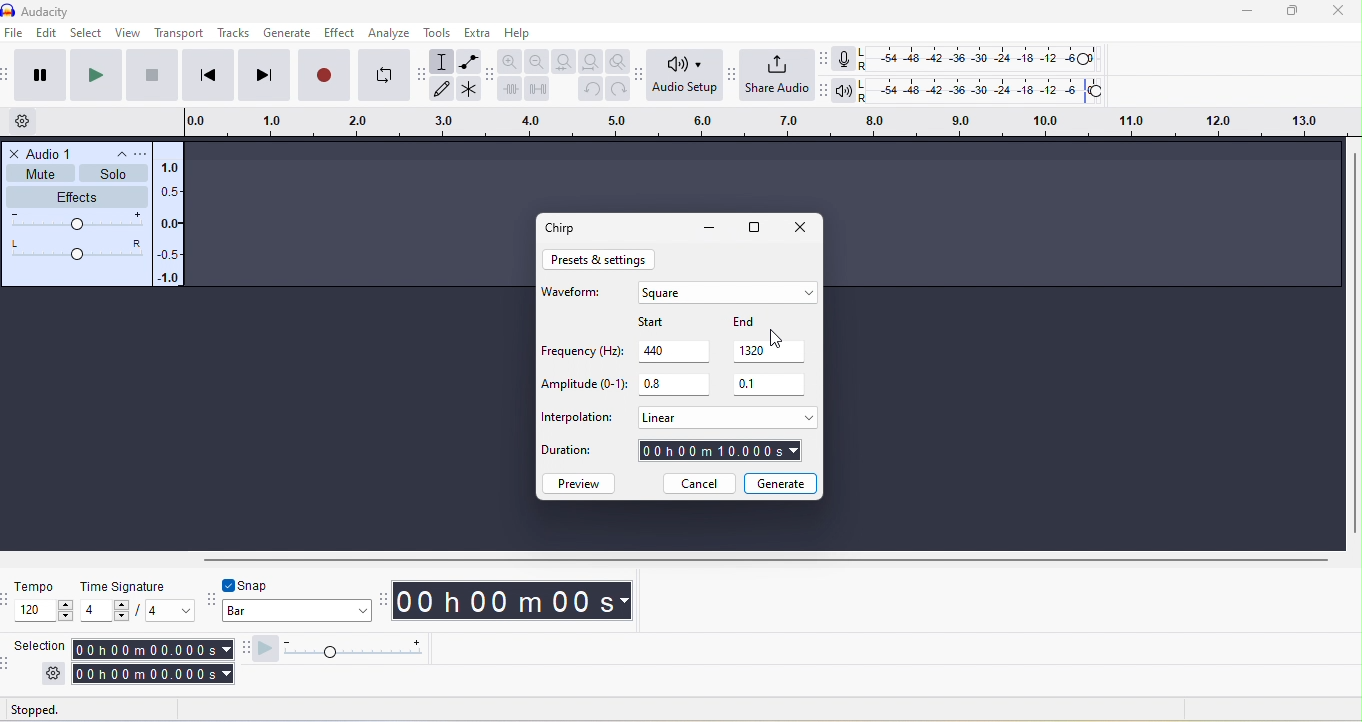 The height and width of the screenshot is (722, 1362). Describe the element at coordinates (698, 484) in the screenshot. I see `cancel` at that location.